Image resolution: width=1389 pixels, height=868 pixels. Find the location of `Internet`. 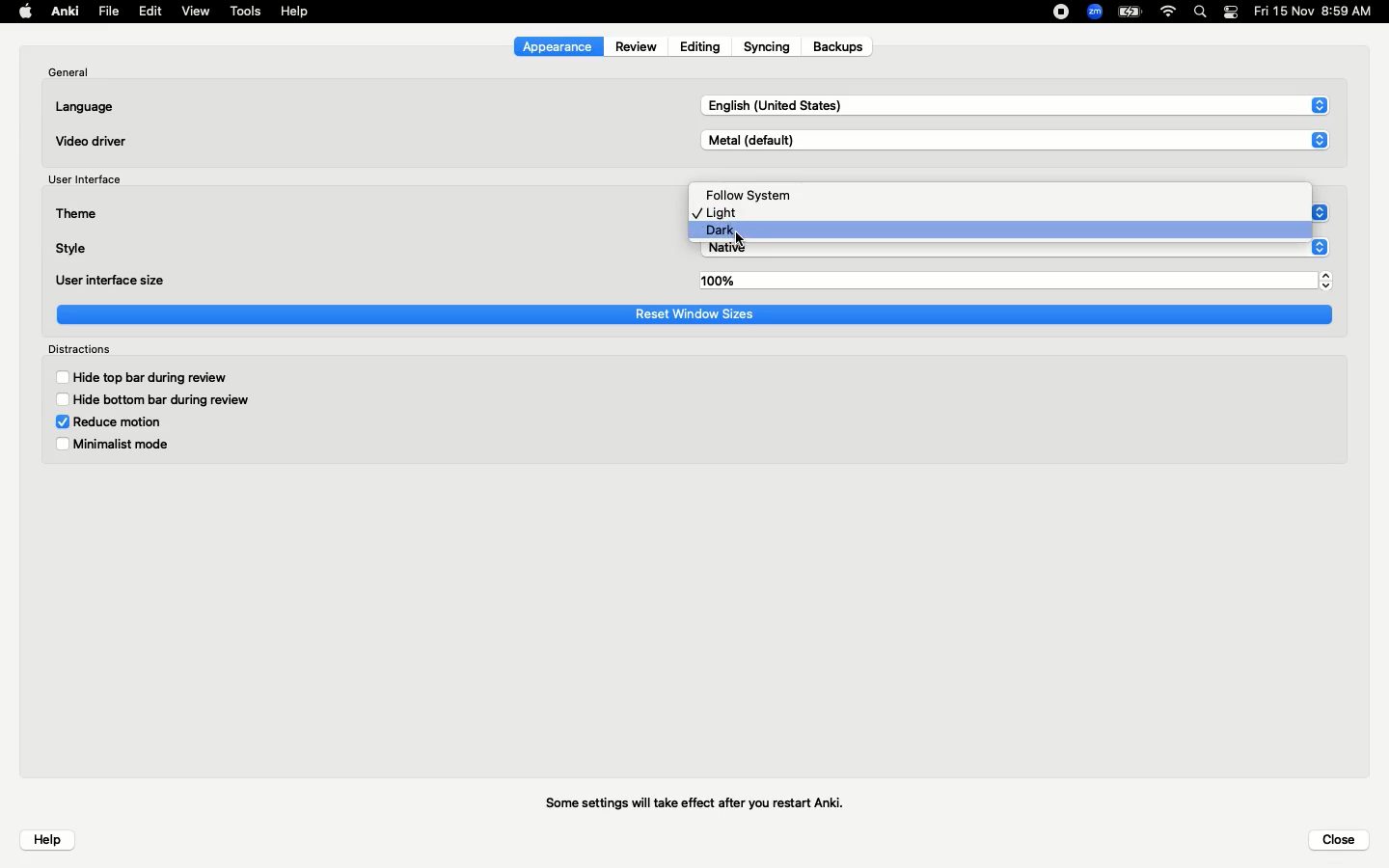

Internet is located at coordinates (1171, 13).